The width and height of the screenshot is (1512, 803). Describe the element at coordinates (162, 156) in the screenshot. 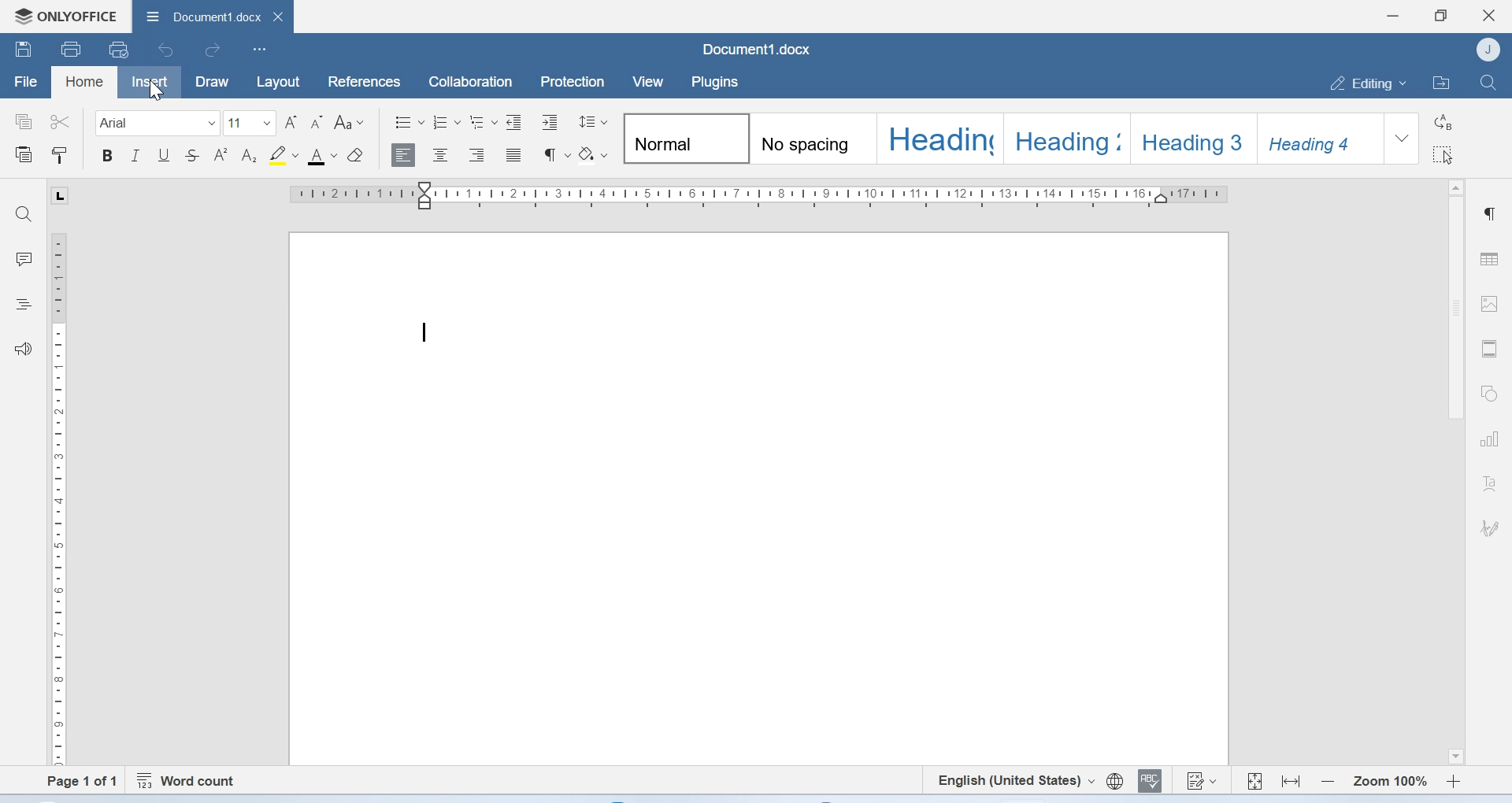

I see `Underline` at that location.